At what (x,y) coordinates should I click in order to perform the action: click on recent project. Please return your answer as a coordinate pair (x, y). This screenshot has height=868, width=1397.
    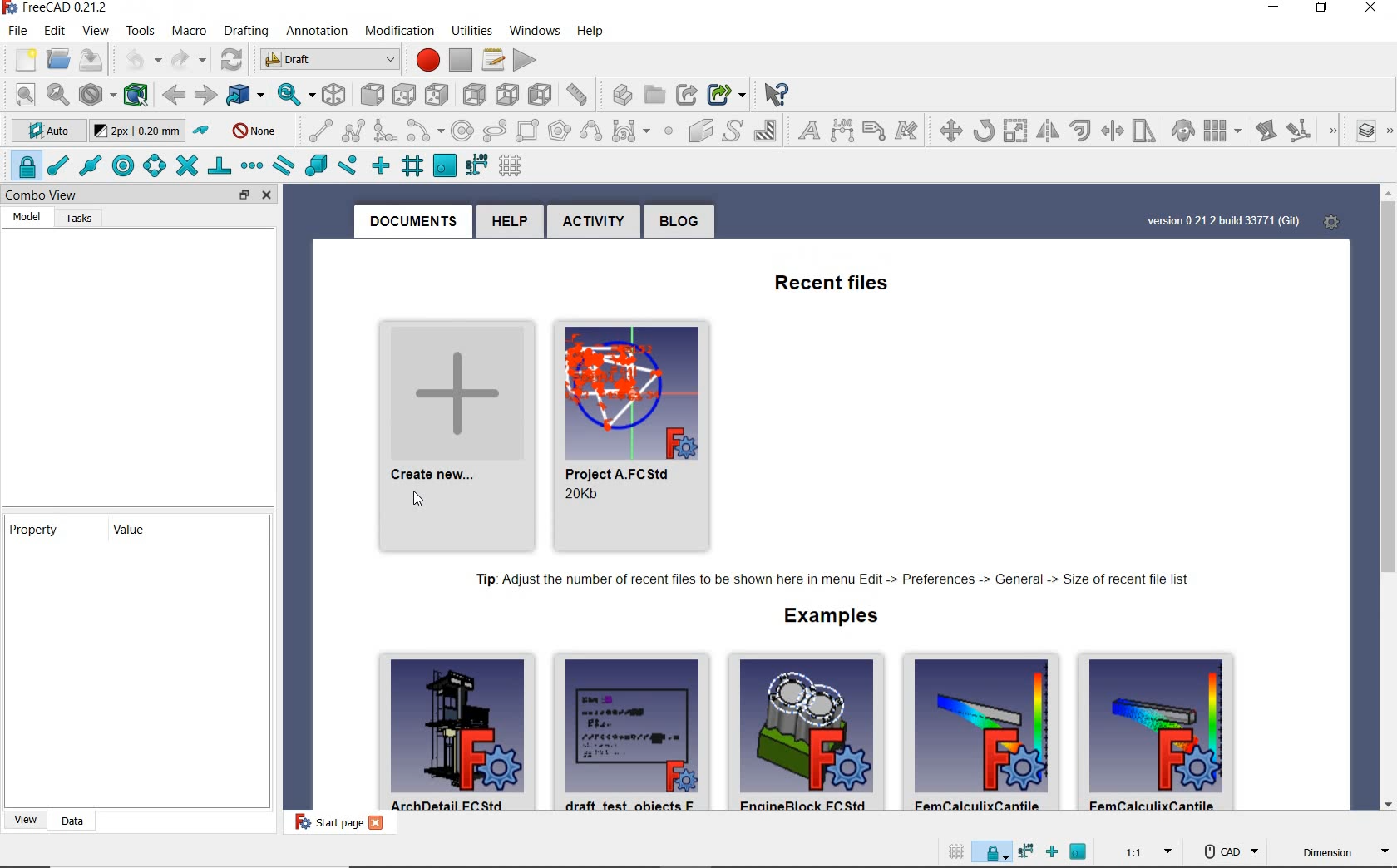
    Looking at the image, I should click on (630, 432).